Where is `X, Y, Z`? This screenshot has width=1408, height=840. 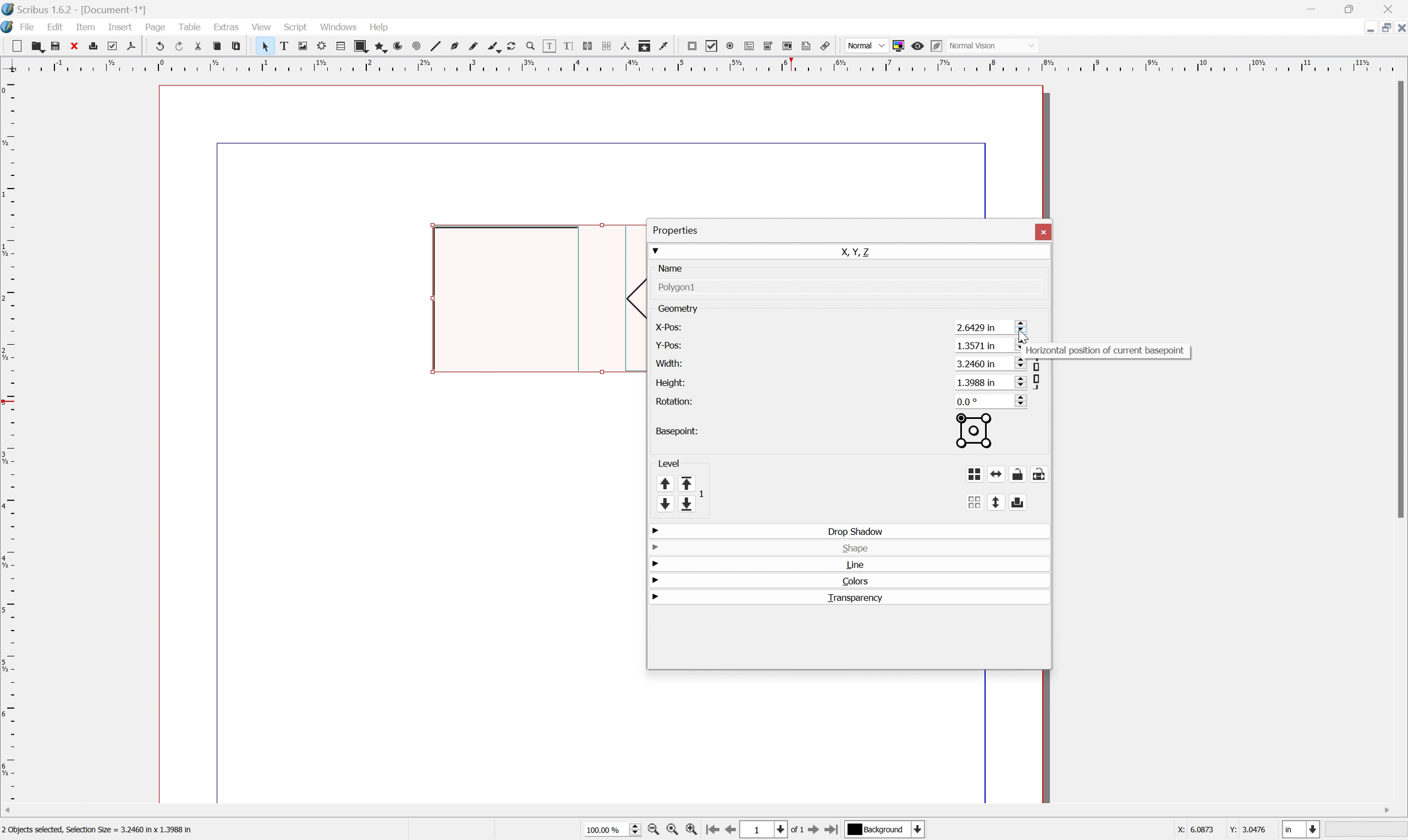
X, Y, Z is located at coordinates (858, 252).